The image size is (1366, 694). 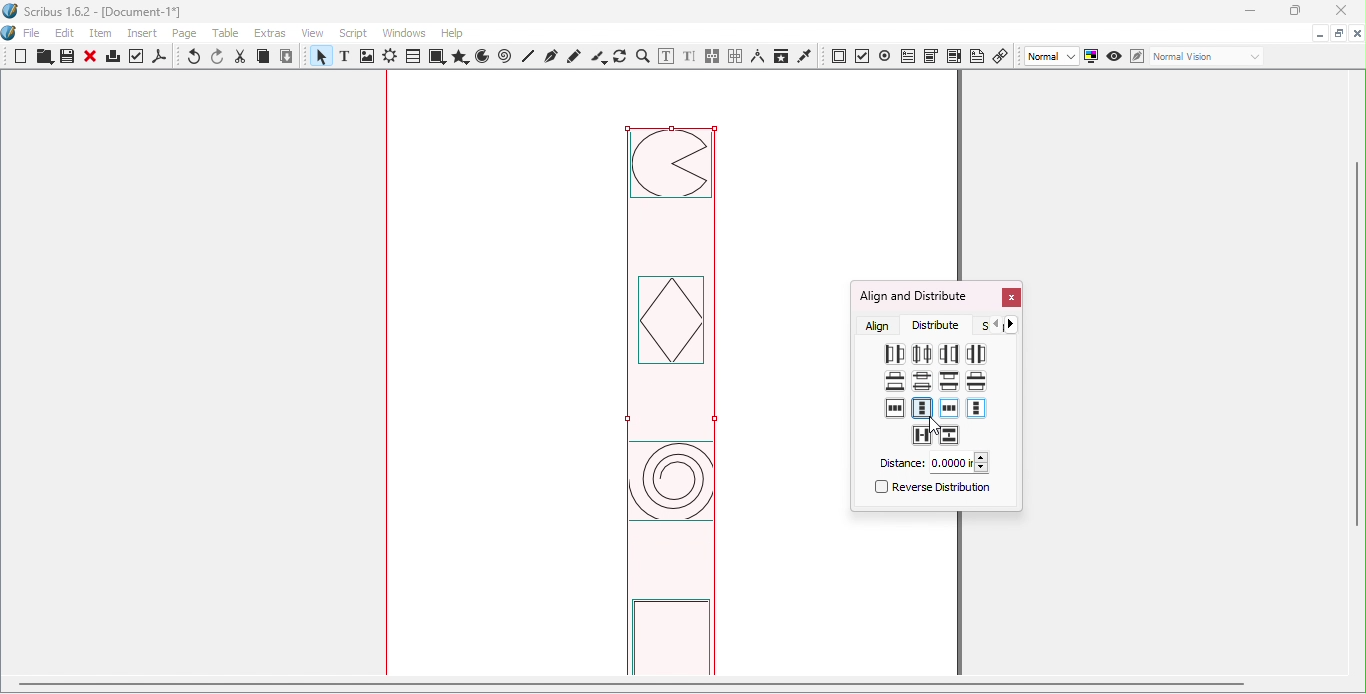 What do you see at coordinates (932, 425) in the screenshot?
I see `cursor` at bounding box center [932, 425].